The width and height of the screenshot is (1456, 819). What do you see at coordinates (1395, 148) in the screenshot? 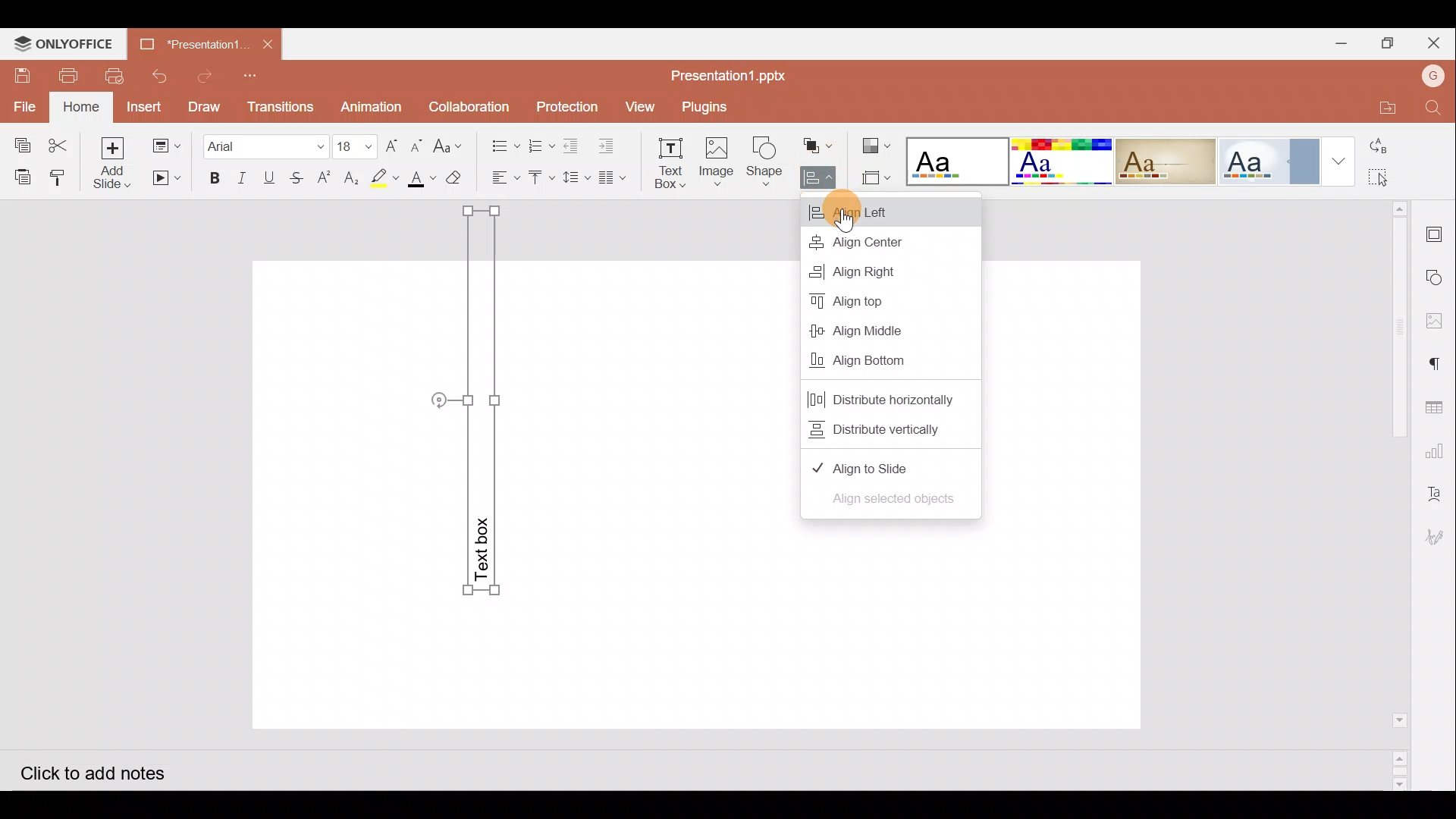
I see `Replace` at bounding box center [1395, 148].